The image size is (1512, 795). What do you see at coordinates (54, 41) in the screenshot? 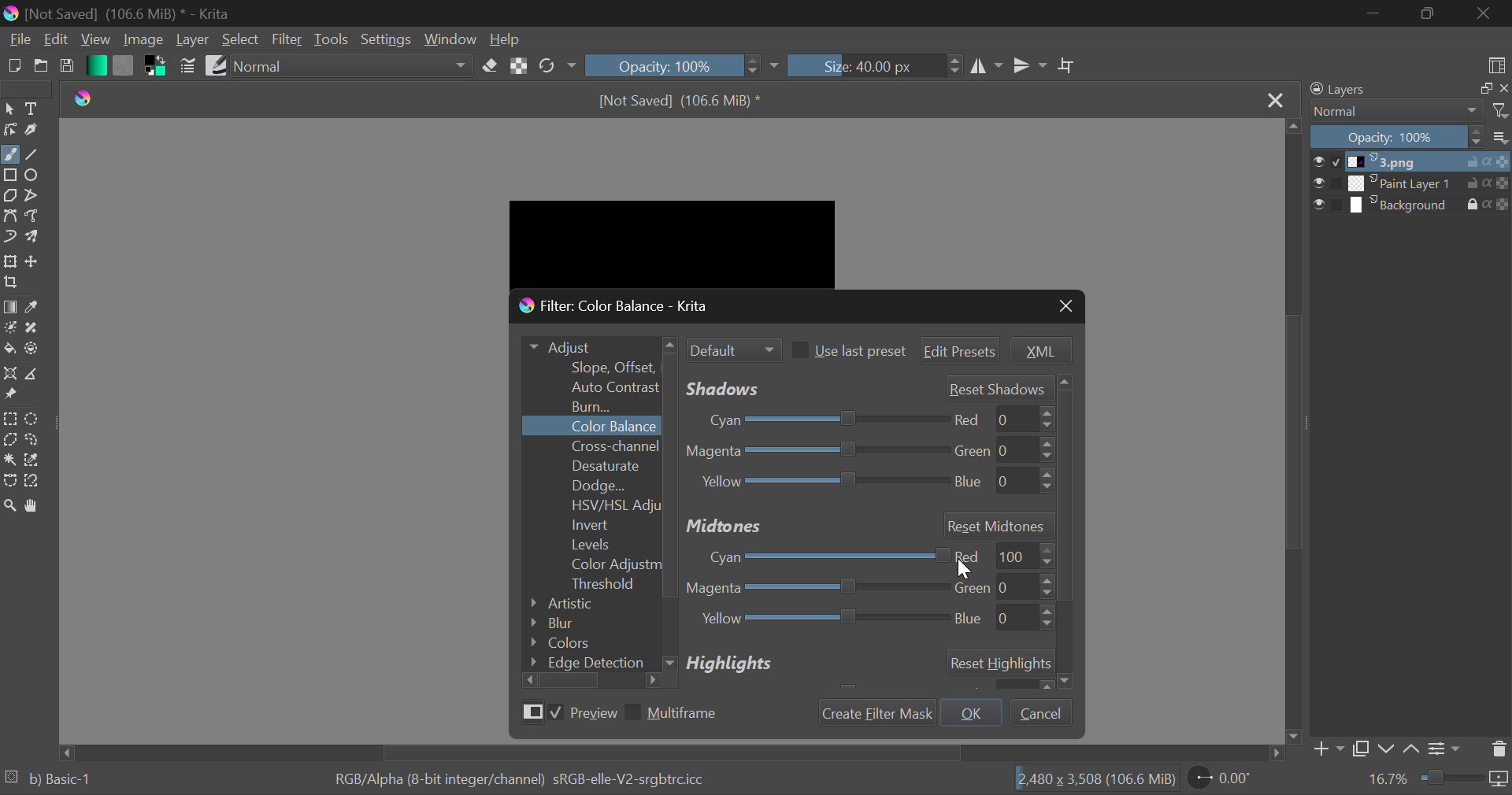
I see `Edit` at bounding box center [54, 41].